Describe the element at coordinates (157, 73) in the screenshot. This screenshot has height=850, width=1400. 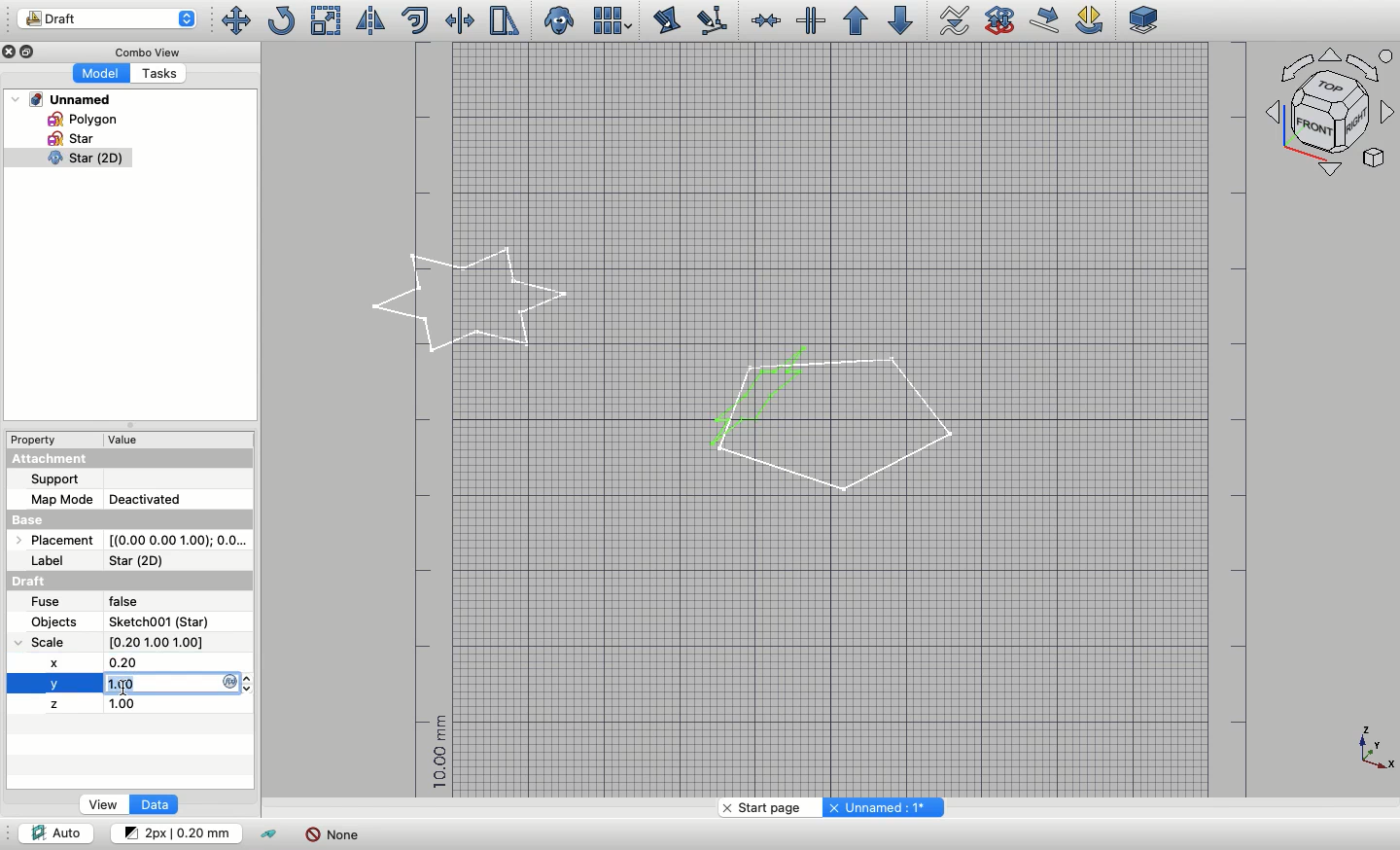
I see `Tasks` at that location.